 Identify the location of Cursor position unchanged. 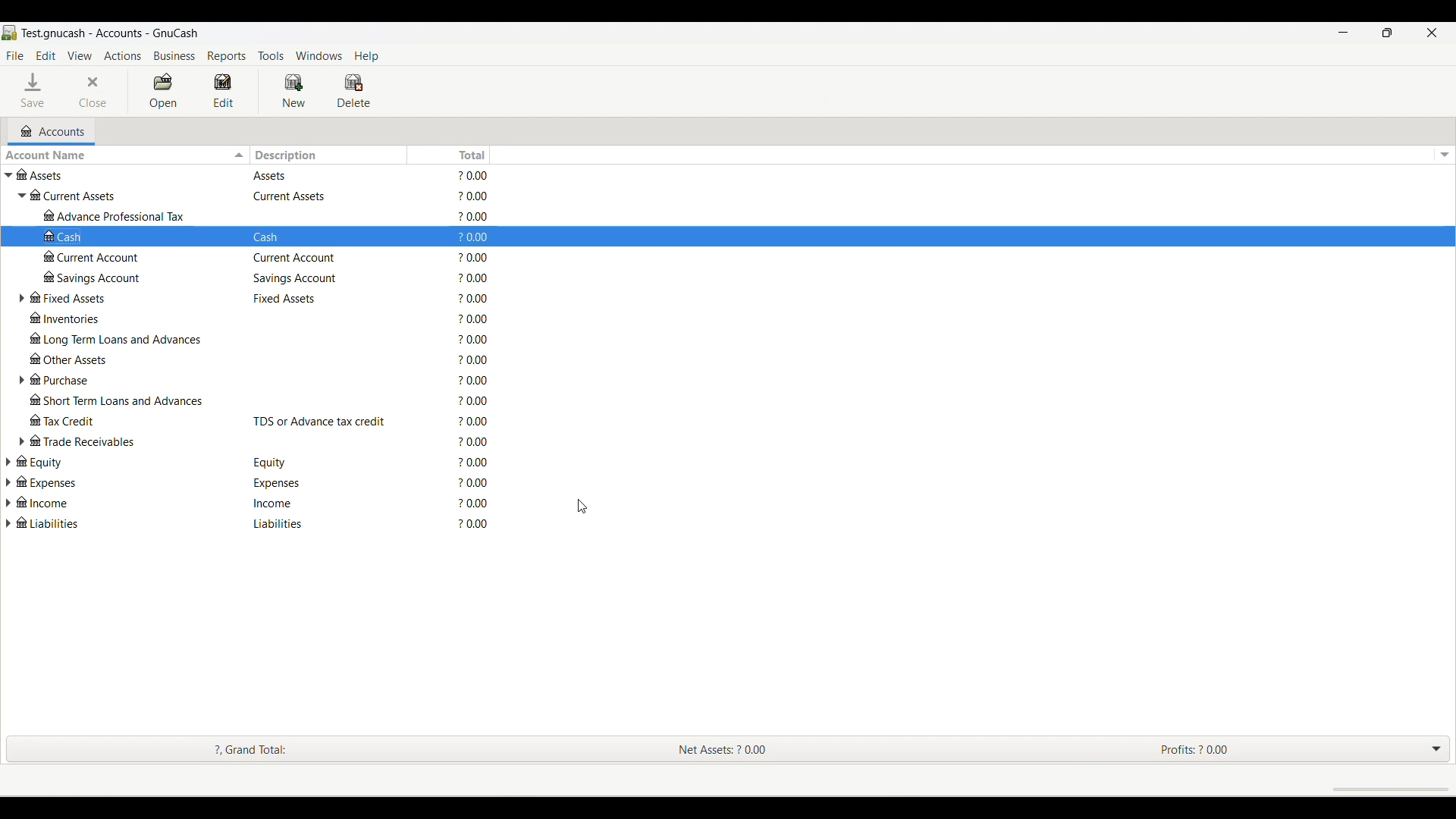
(582, 507).